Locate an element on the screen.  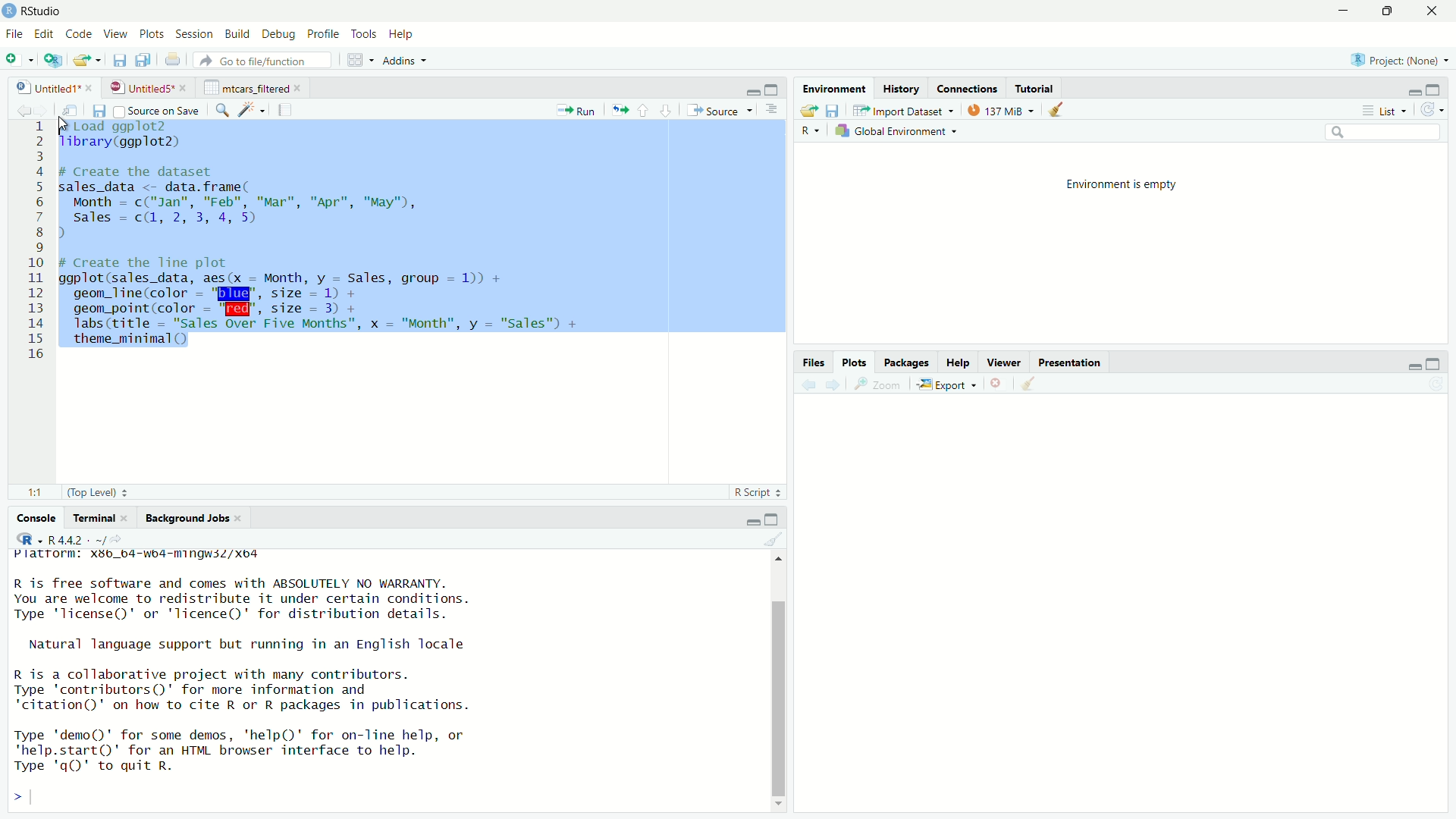
edit is located at coordinates (45, 34).